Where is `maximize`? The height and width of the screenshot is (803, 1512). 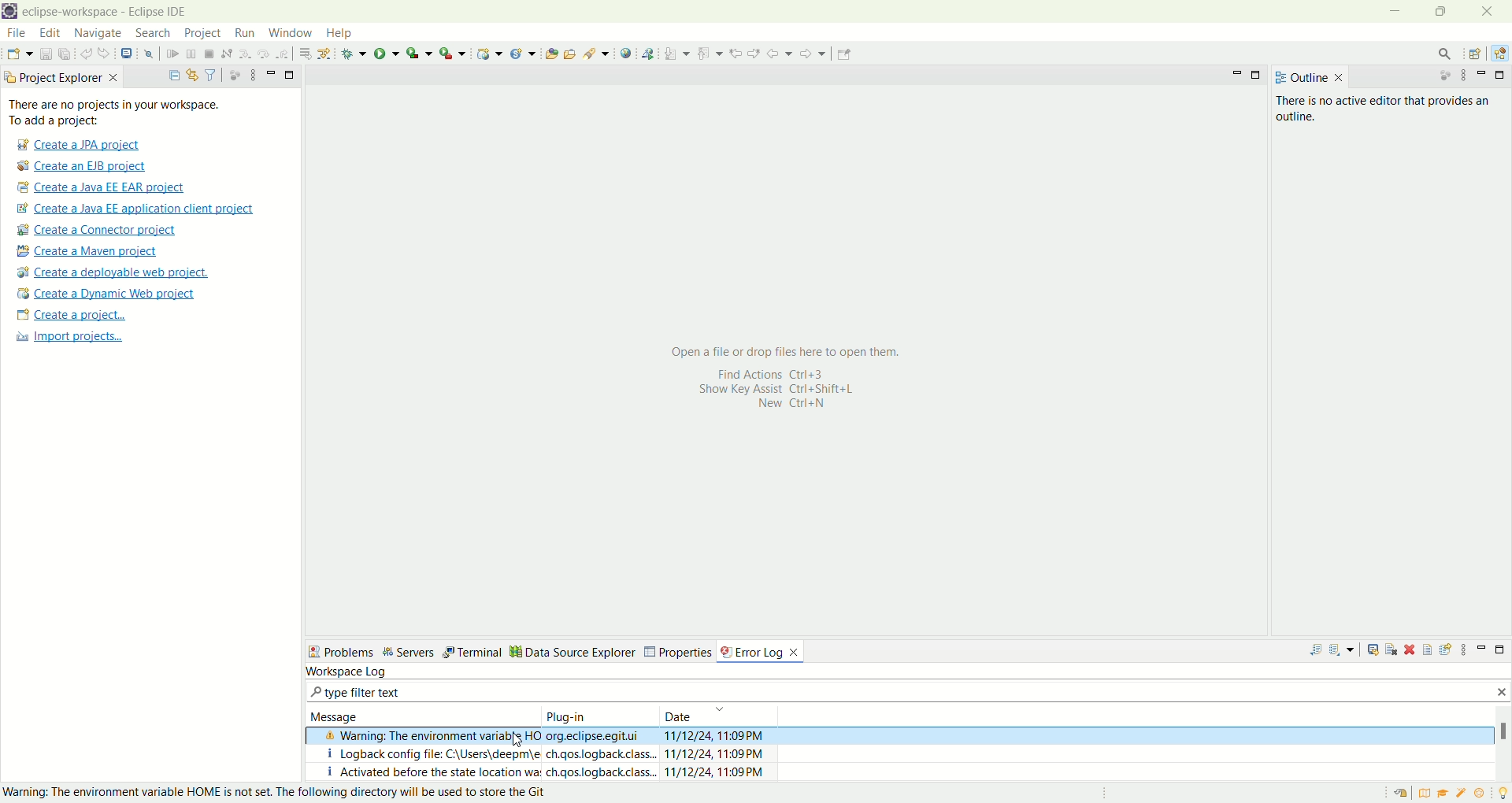
maximize is located at coordinates (1500, 651).